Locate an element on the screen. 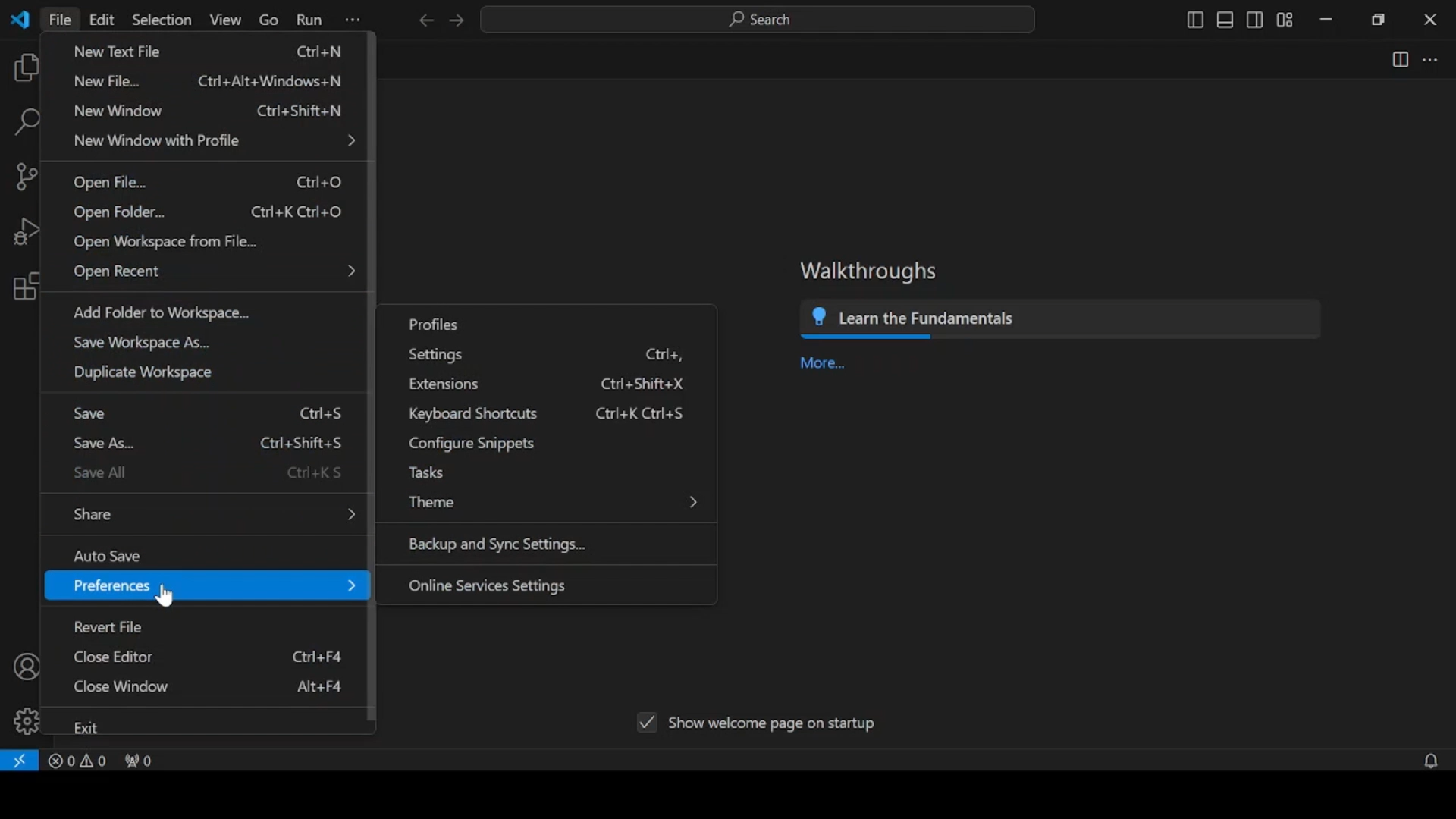  keyboard shortcuts is located at coordinates (474, 415).